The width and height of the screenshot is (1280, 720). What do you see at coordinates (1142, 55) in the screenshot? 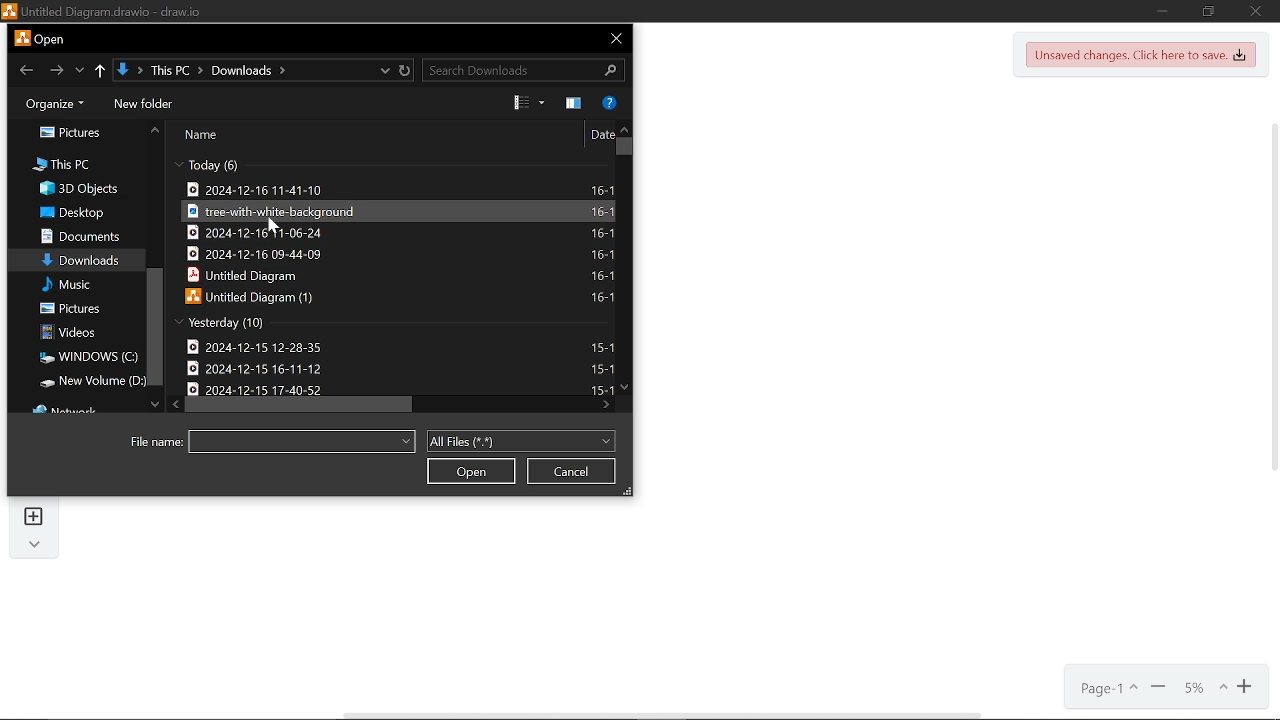
I see `Unsaved changes` at bounding box center [1142, 55].